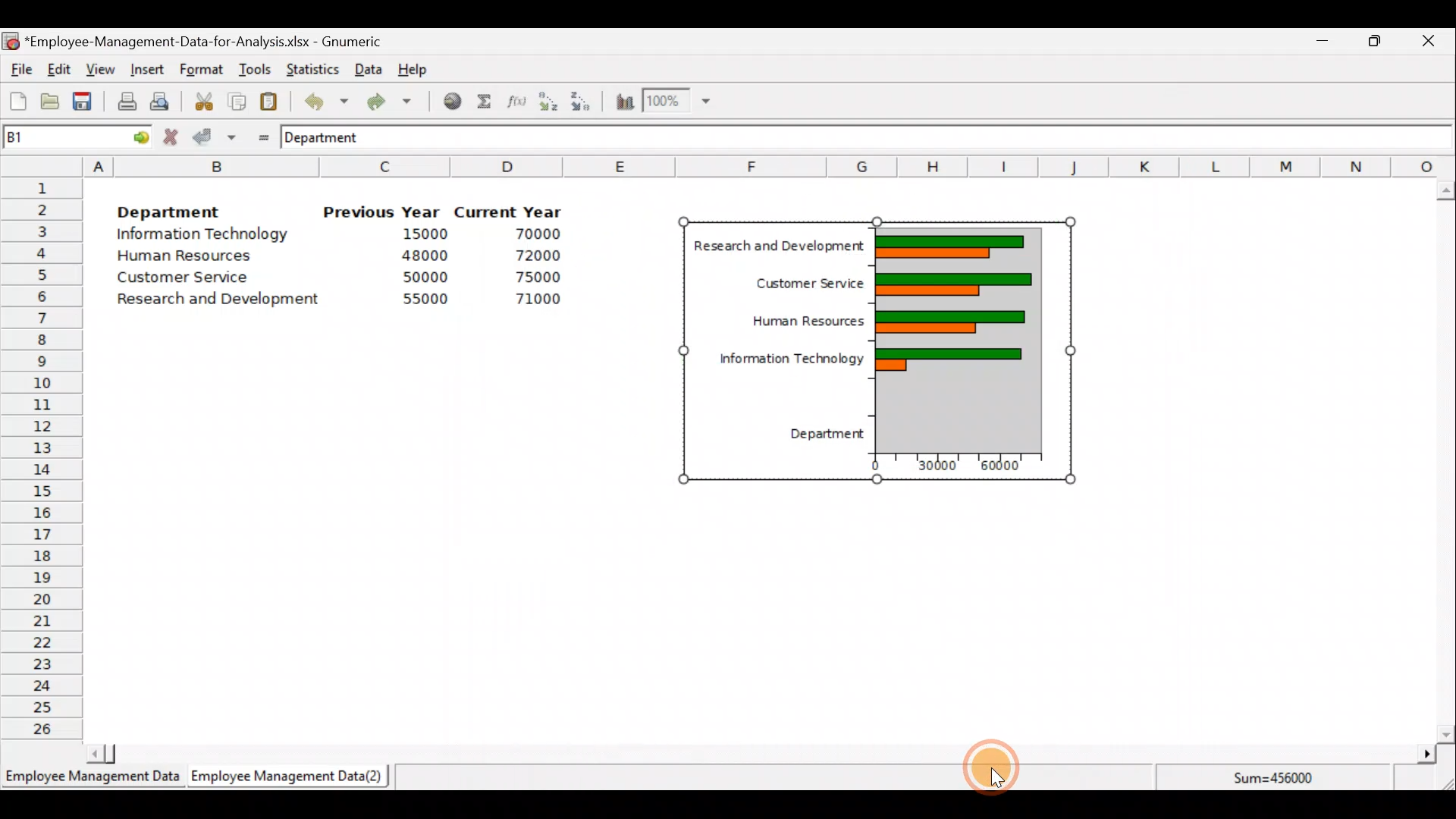 The width and height of the screenshot is (1456, 819). Describe the element at coordinates (19, 70) in the screenshot. I see `File` at that location.